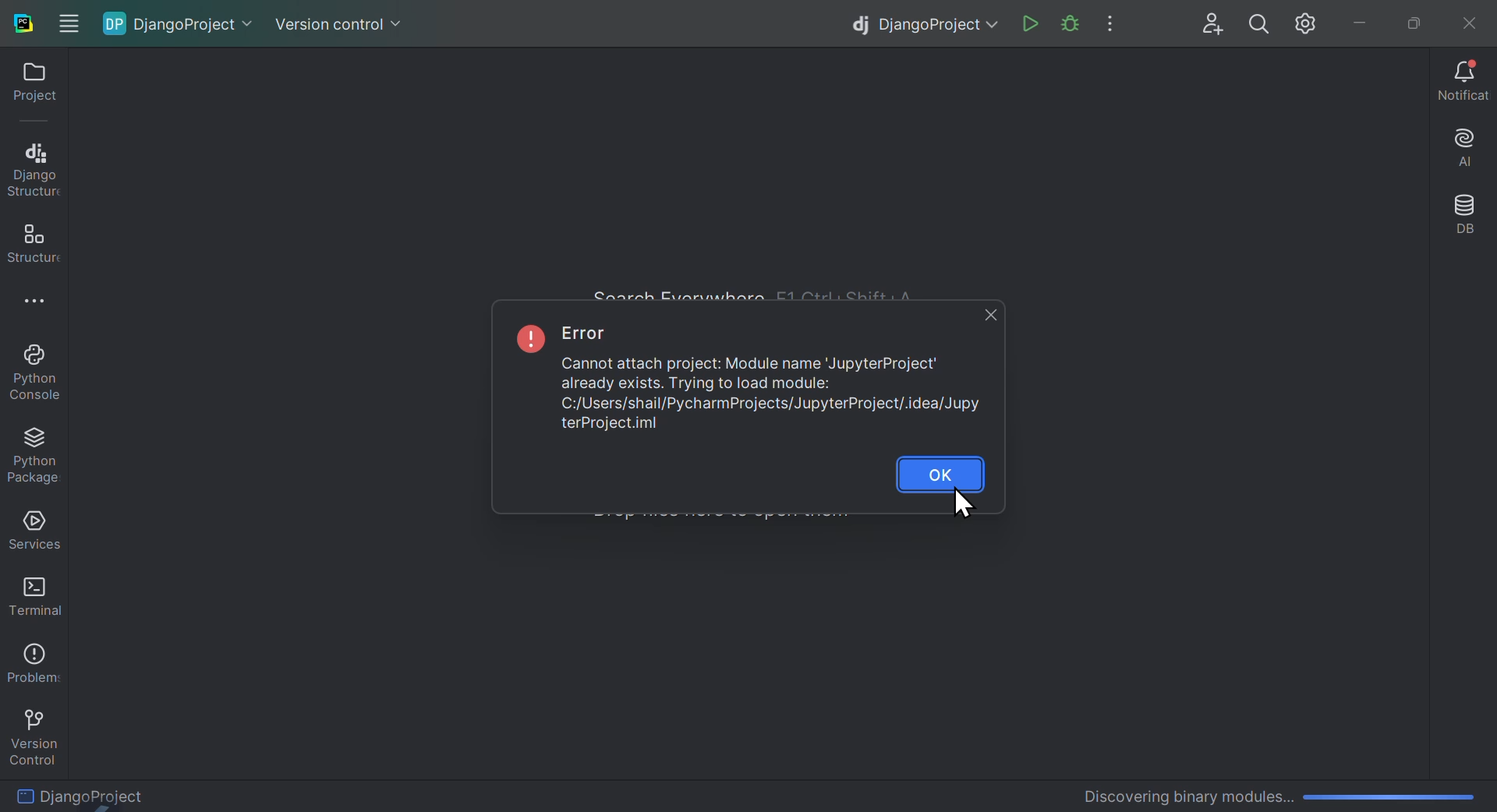  Describe the element at coordinates (958, 507) in the screenshot. I see ` Cursor` at that location.